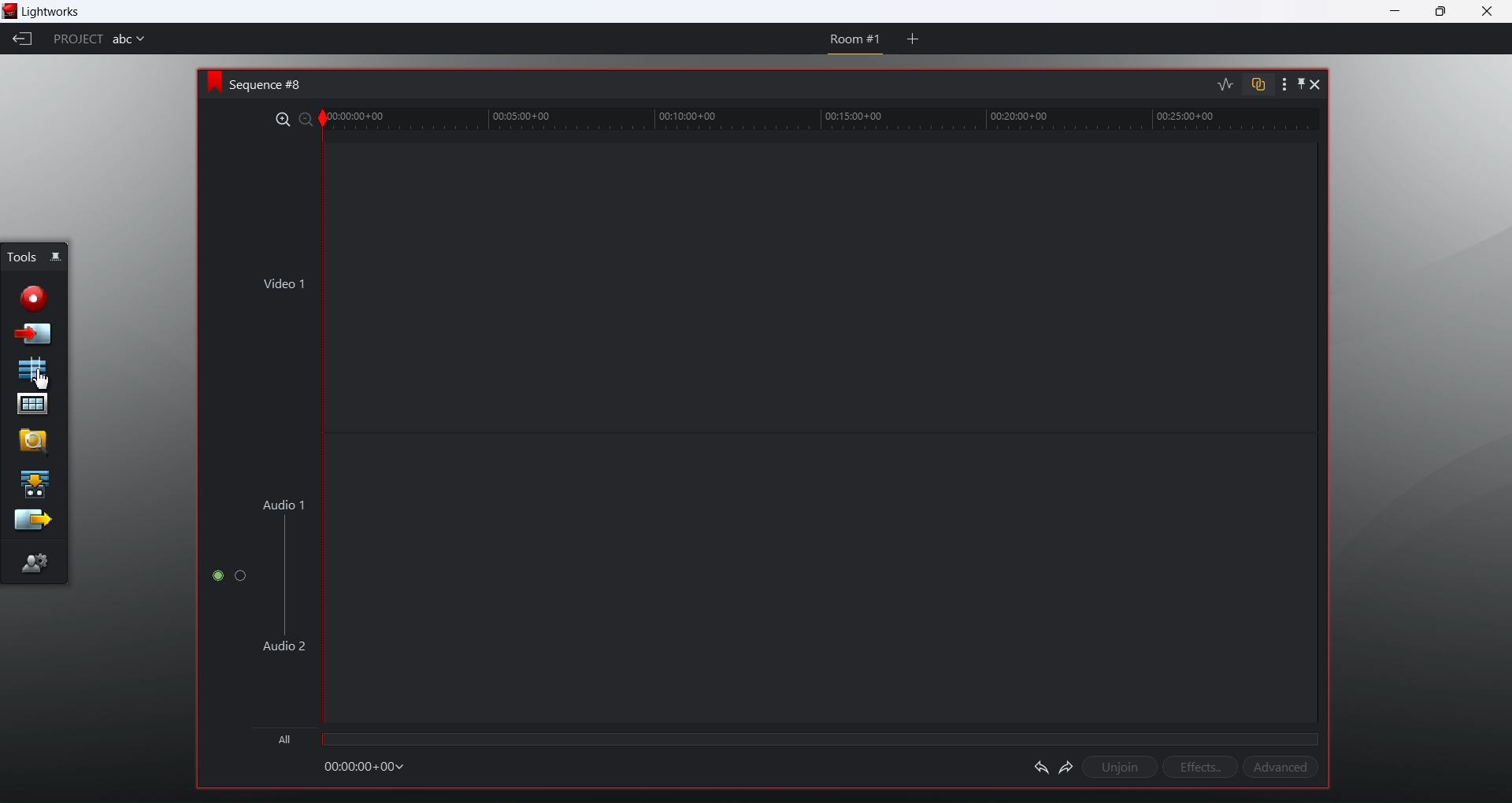 This screenshot has height=803, width=1512. I want to click on close, so click(1484, 13).